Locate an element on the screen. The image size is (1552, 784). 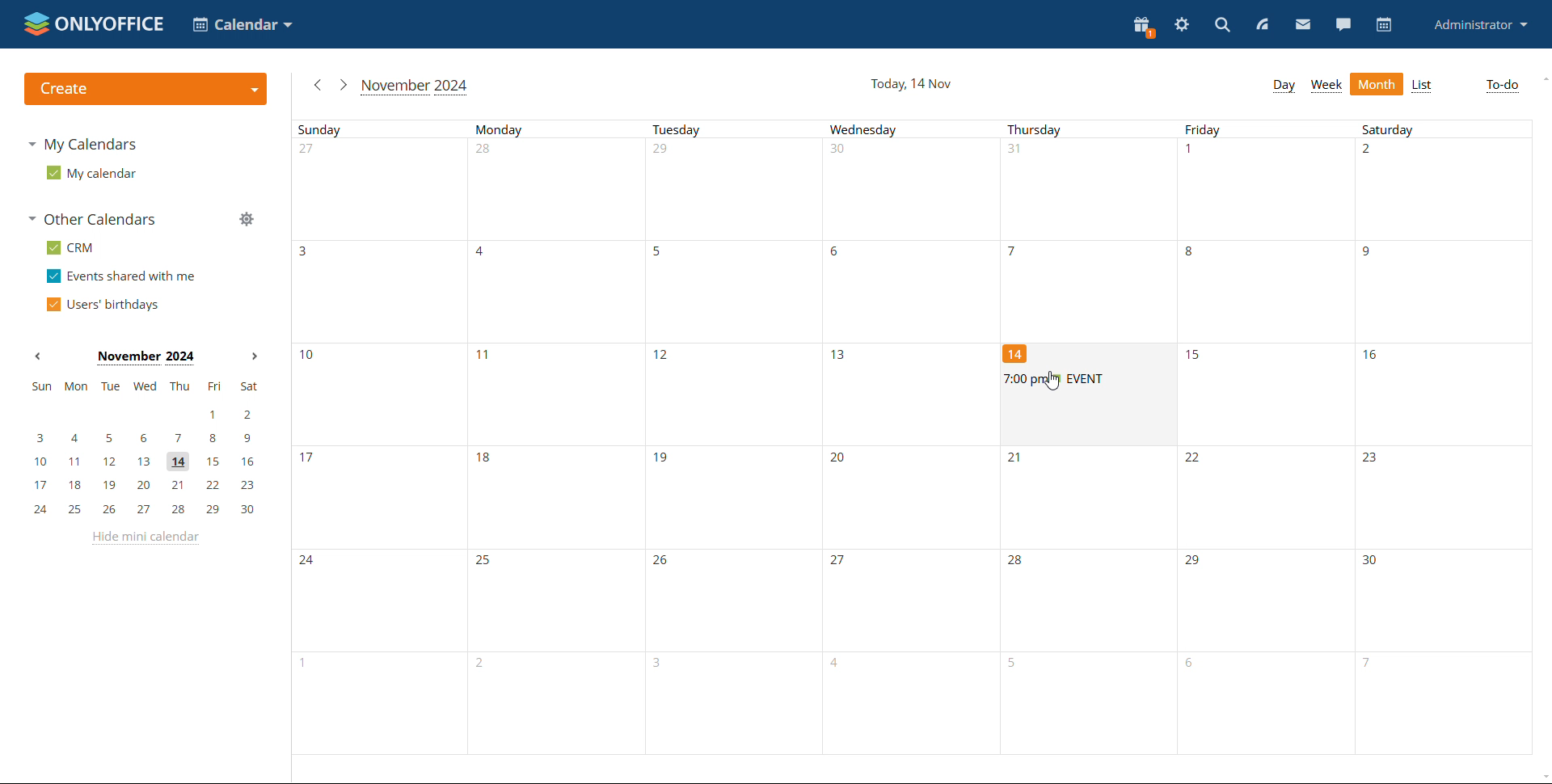
cursor is located at coordinates (1055, 384).